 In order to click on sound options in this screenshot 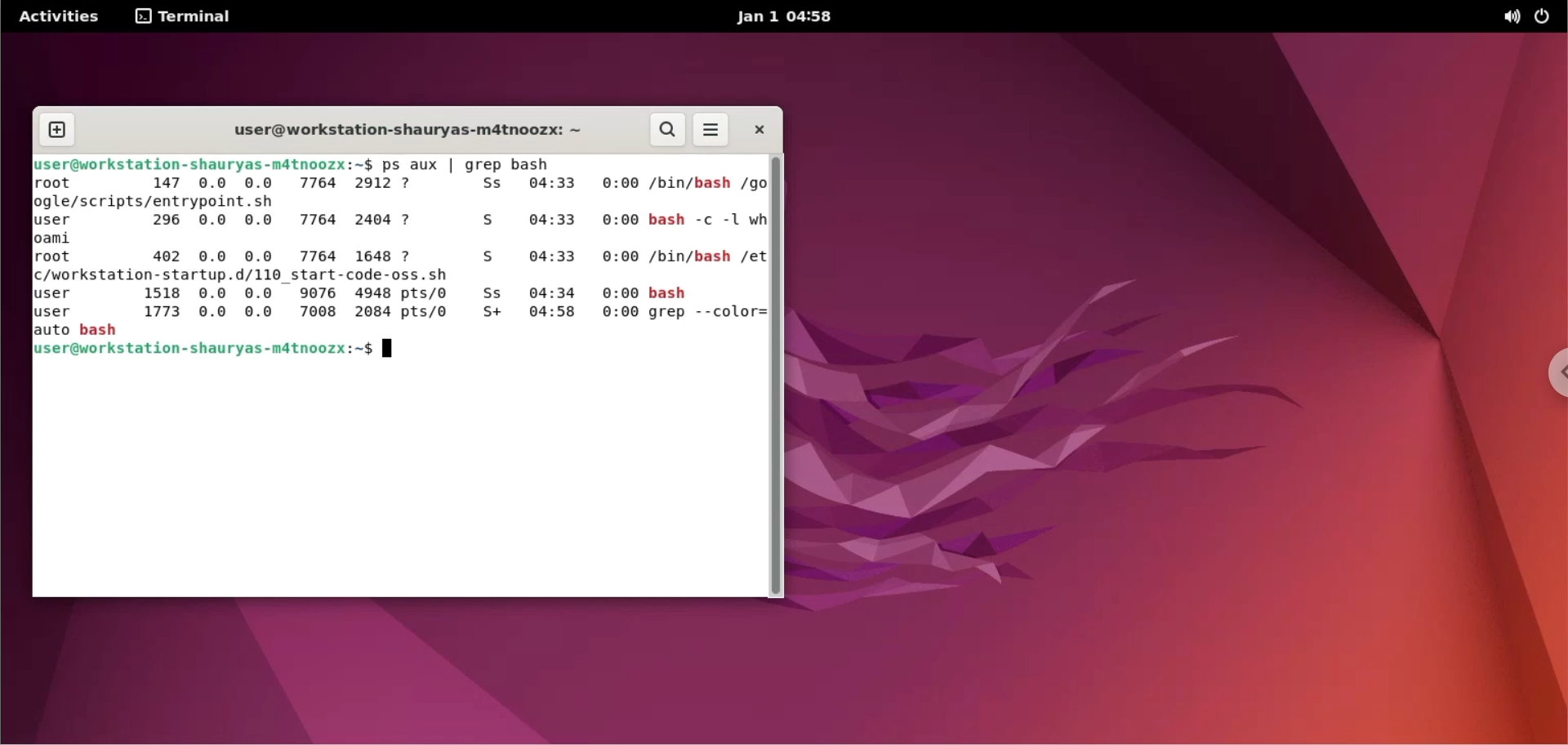, I will do `click(1508, 17)`.